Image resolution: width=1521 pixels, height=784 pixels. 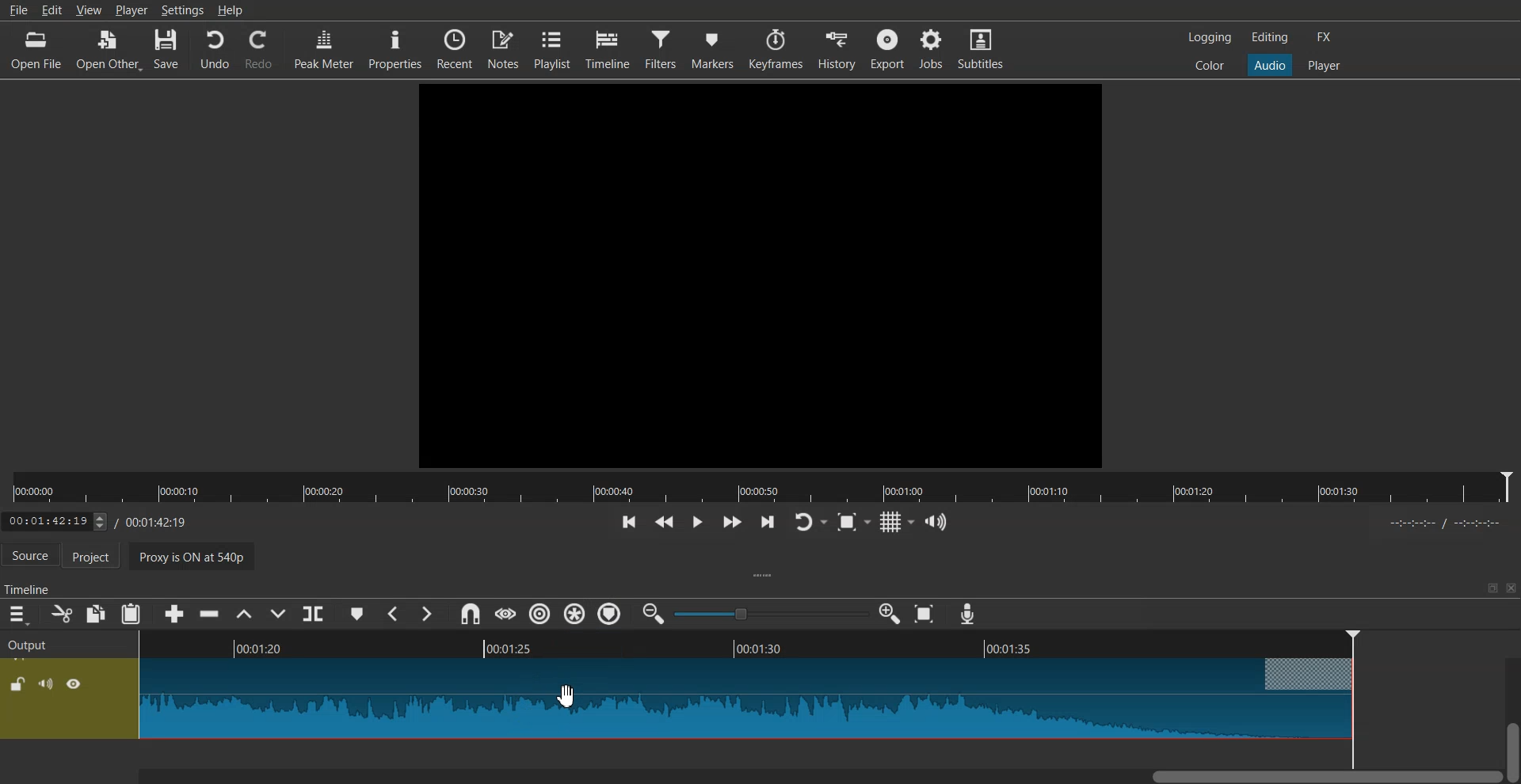 I want to click on Peak Meter, so click(x=323, y=48).